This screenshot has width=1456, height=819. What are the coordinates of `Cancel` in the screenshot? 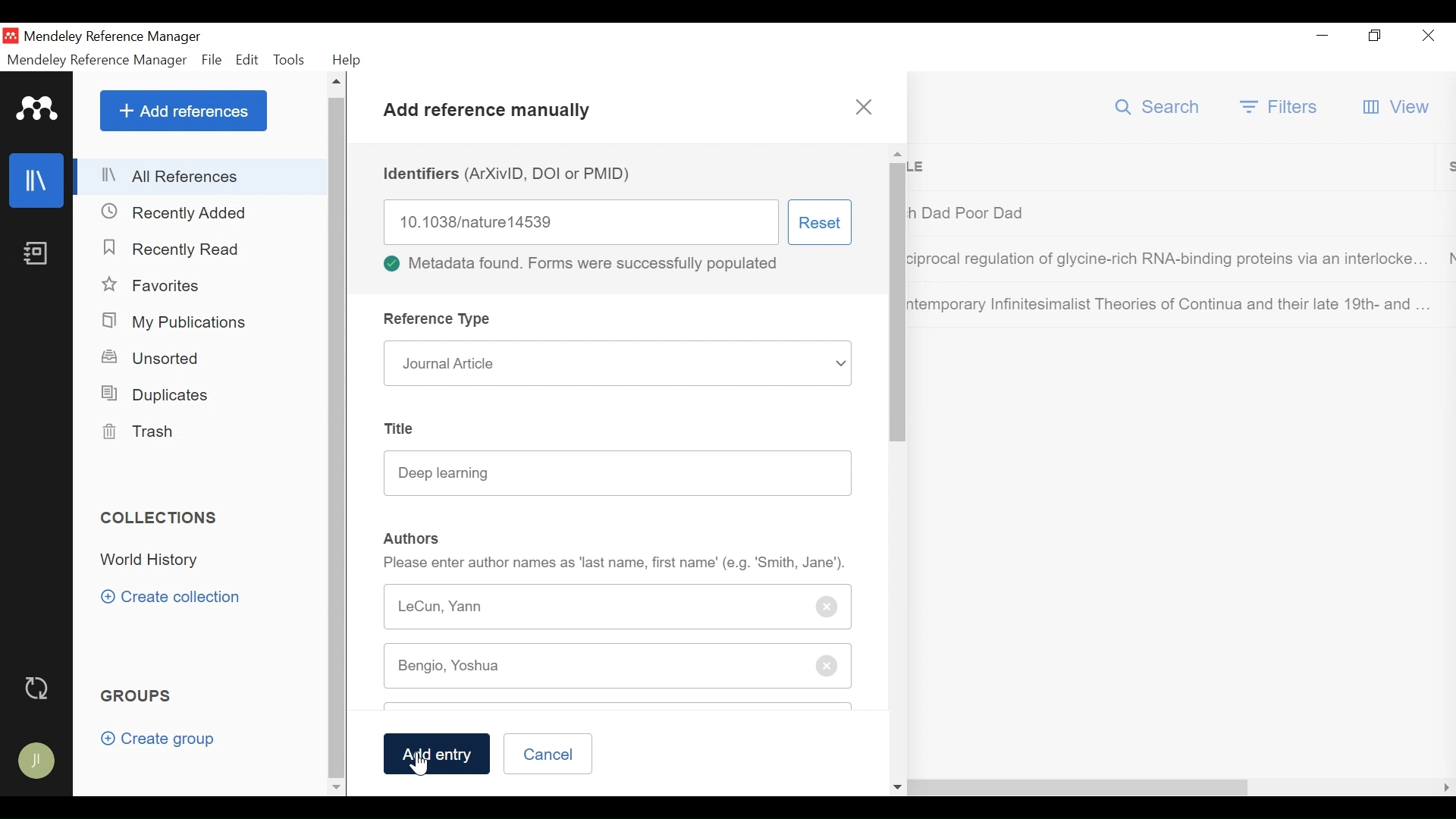 It's located at (547, 753).